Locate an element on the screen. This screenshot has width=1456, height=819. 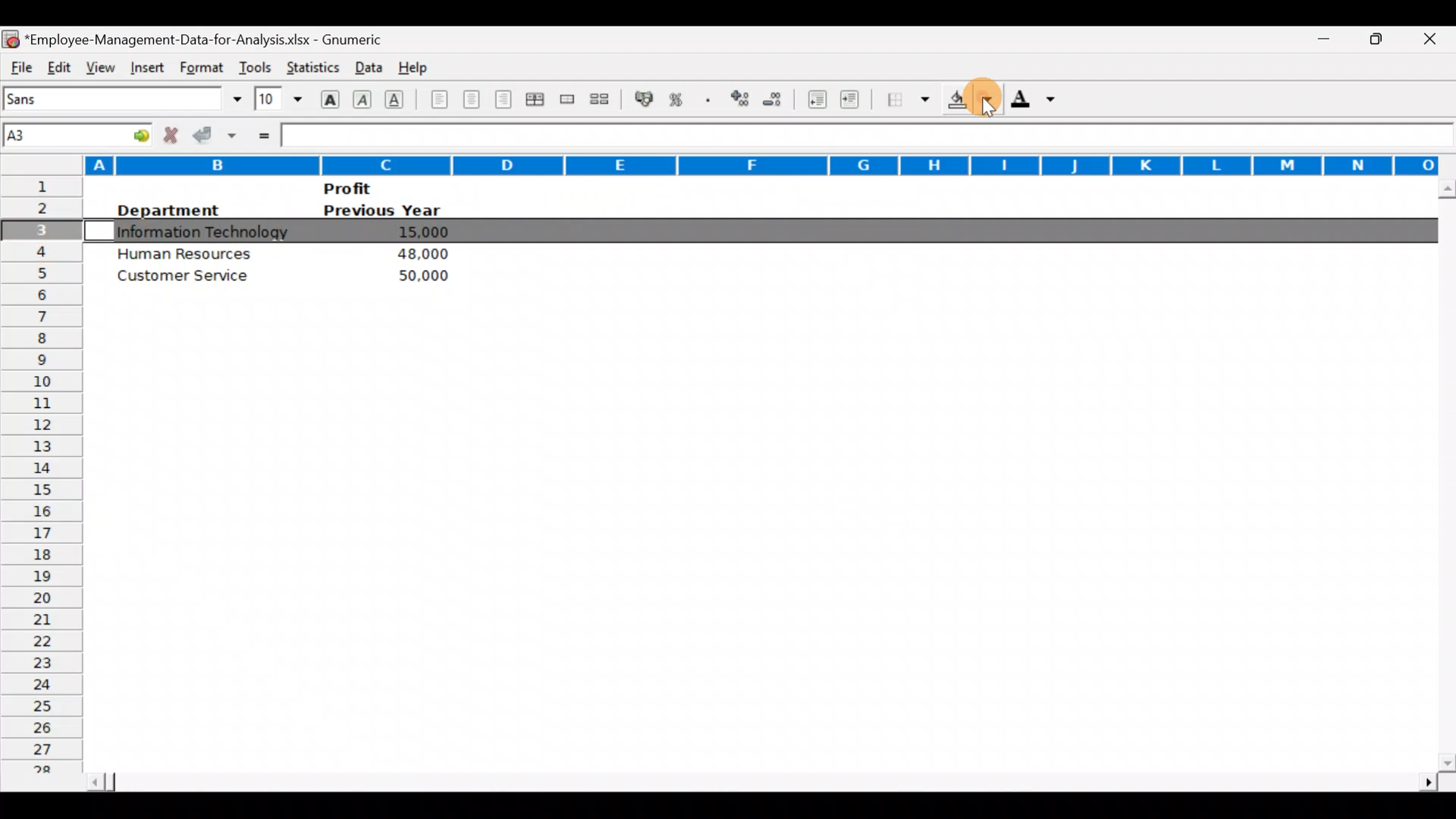
File is located at coordinates (20, 65).